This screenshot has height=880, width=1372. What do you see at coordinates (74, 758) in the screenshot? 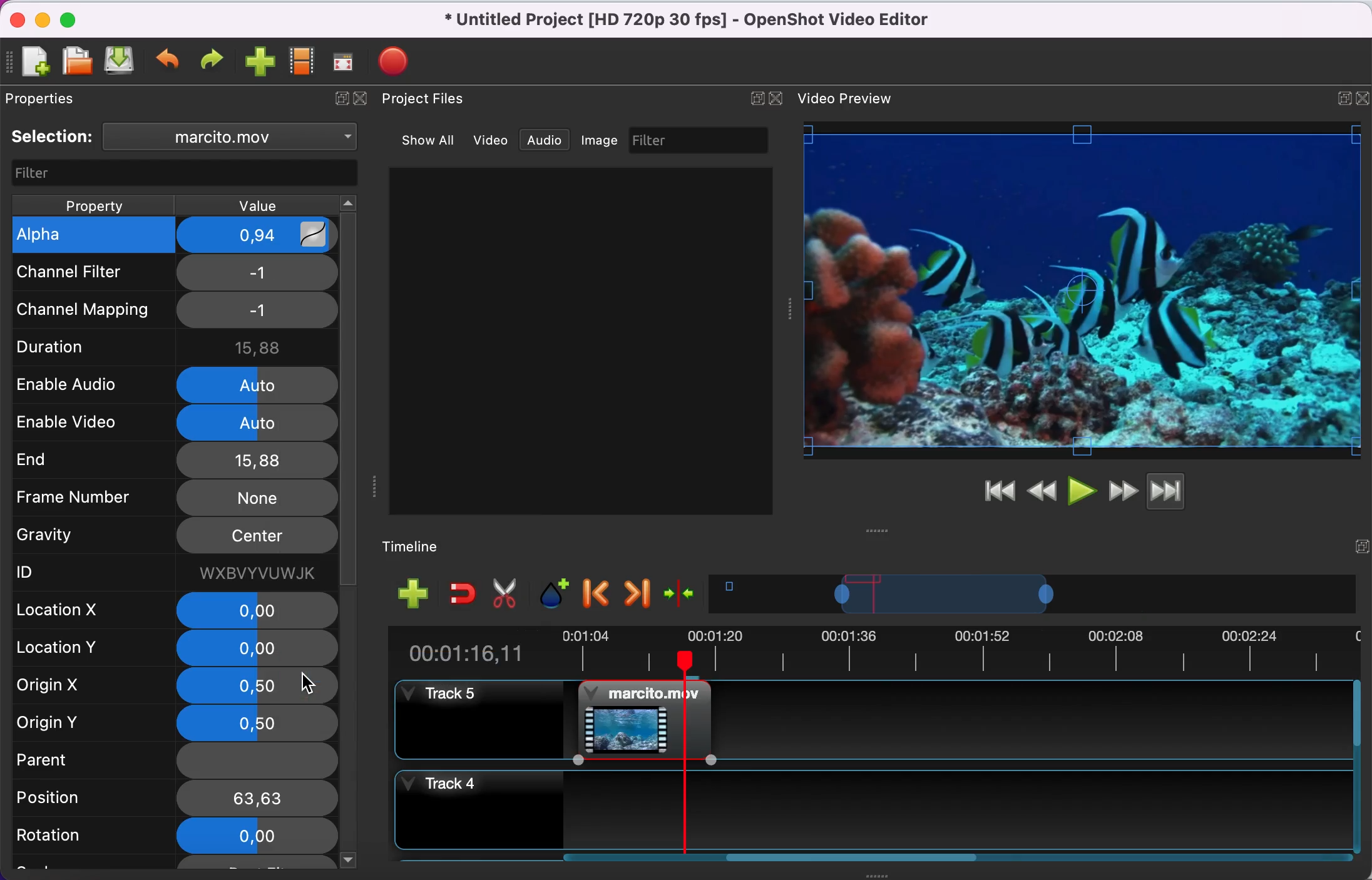
I see `Parent` at bounding box center [74, 758].